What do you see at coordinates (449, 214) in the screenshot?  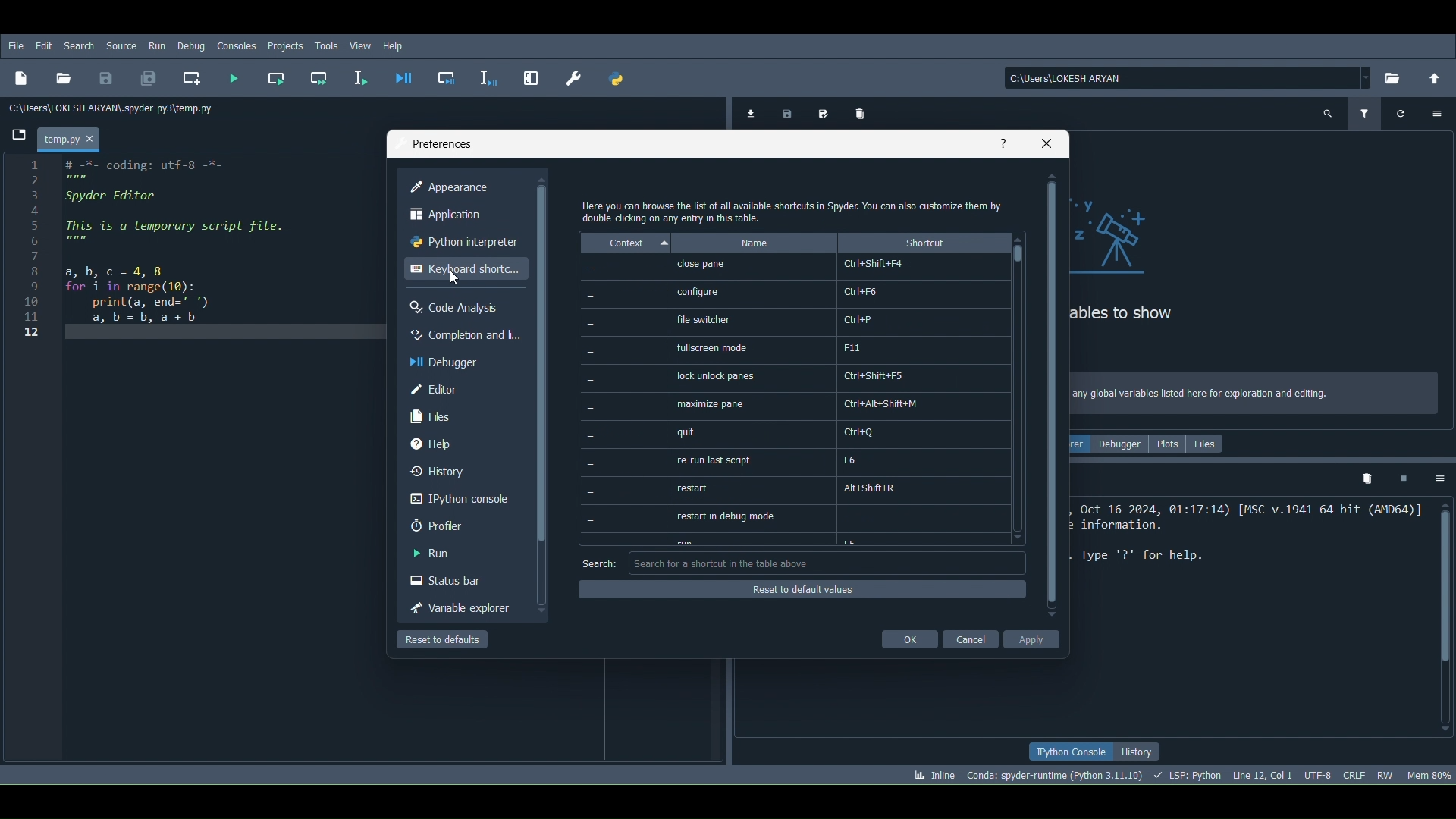 I see `Application` at bounding box center [449, 214].